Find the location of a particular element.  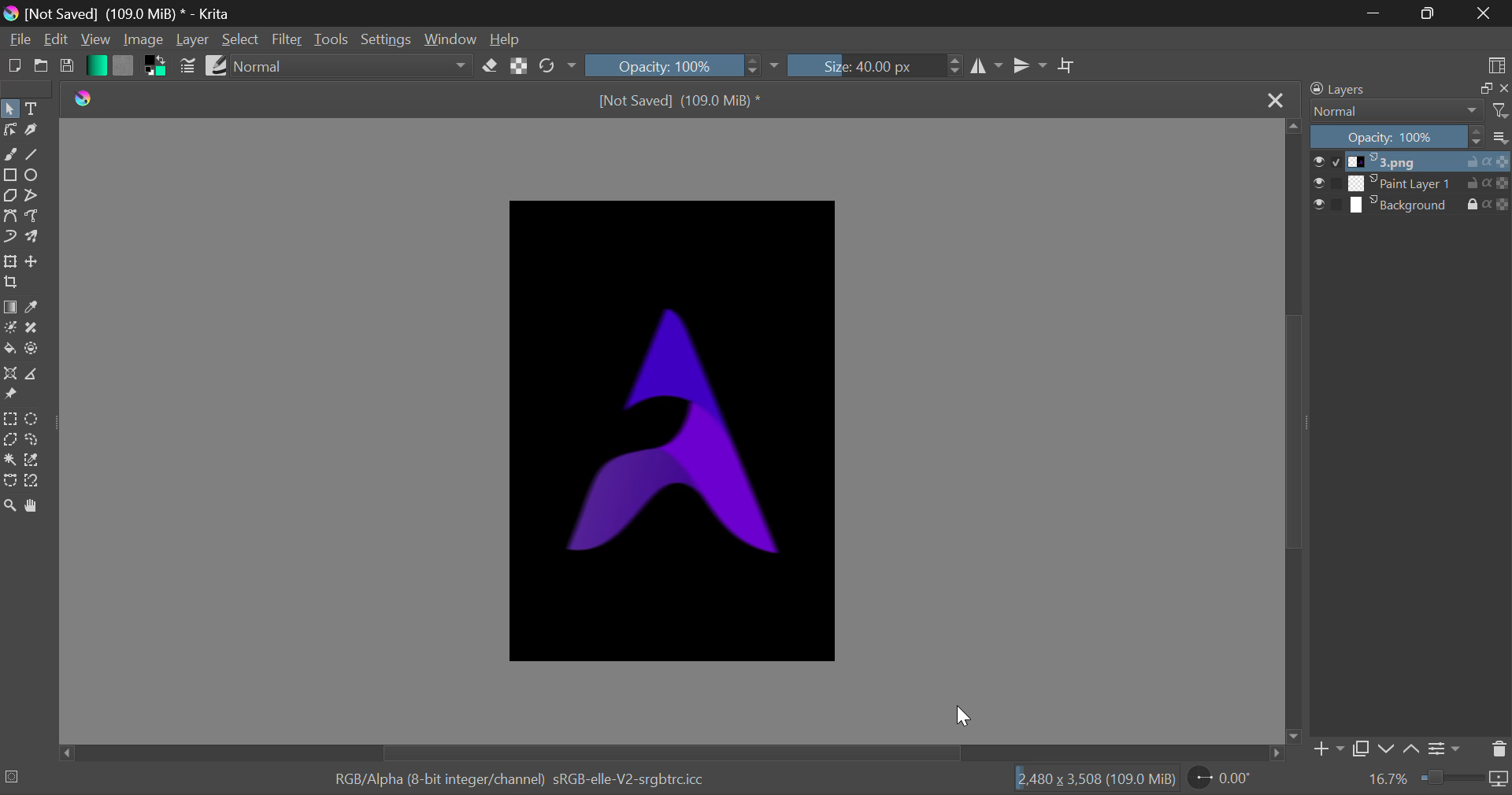

Choose Workspace is located at coordinates (1496, 65).